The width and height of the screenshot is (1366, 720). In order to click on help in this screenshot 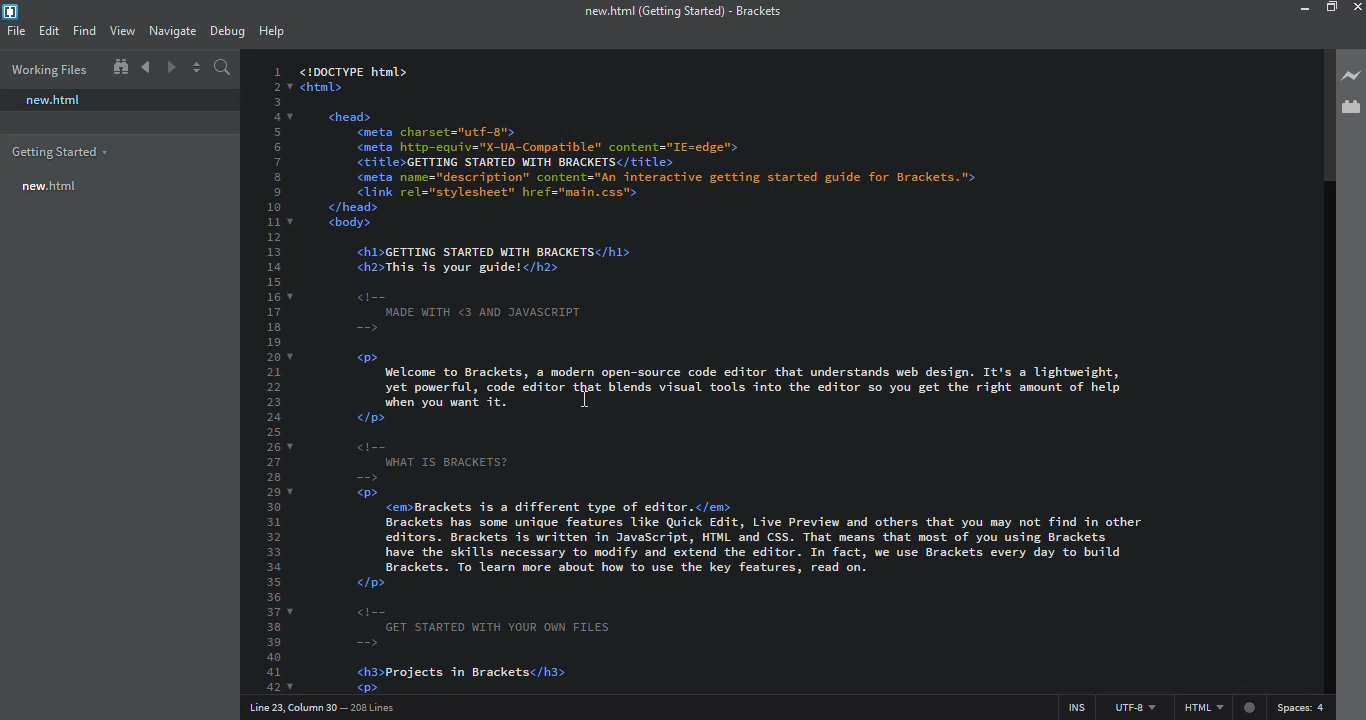, I will do `click(270, 30)`.